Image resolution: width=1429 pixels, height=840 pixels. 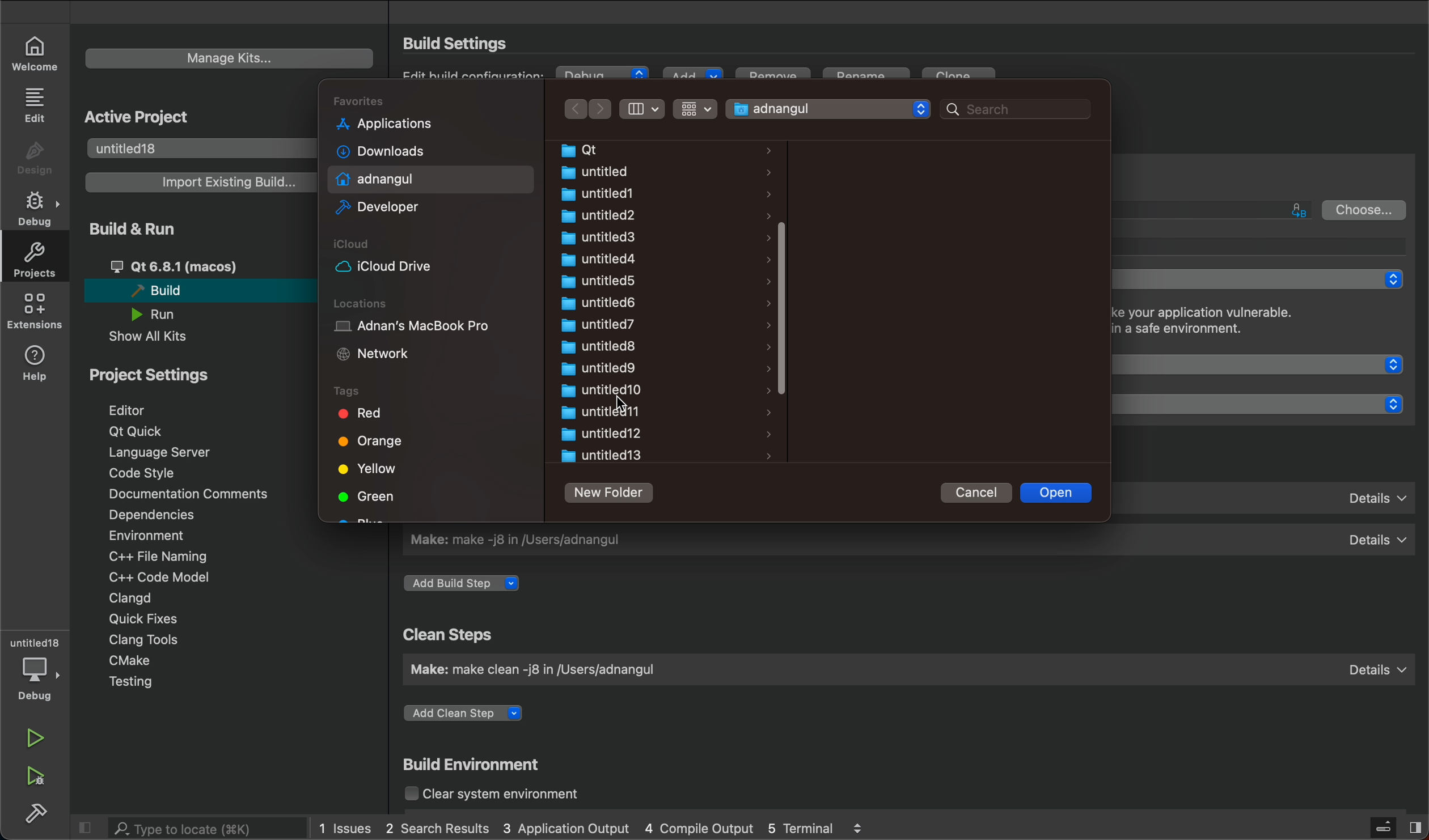 What do you see at coordinates (152, 116) in the screenshot?
I see `active project                    ` at bounding box center [152, 116].